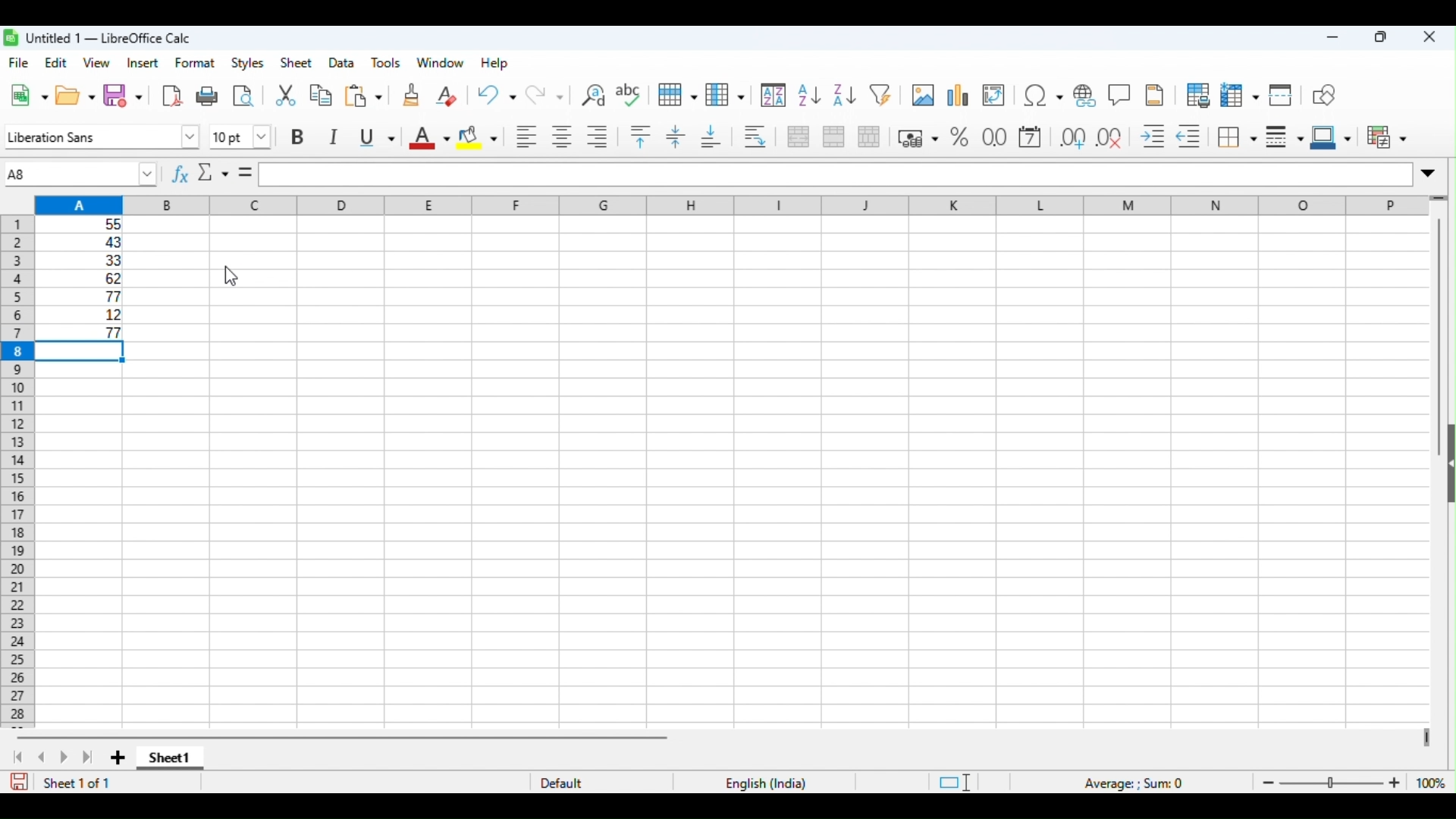  Describe the element at coordinates (806, 95) in the screenshot. I see `sort ascending` at that location.